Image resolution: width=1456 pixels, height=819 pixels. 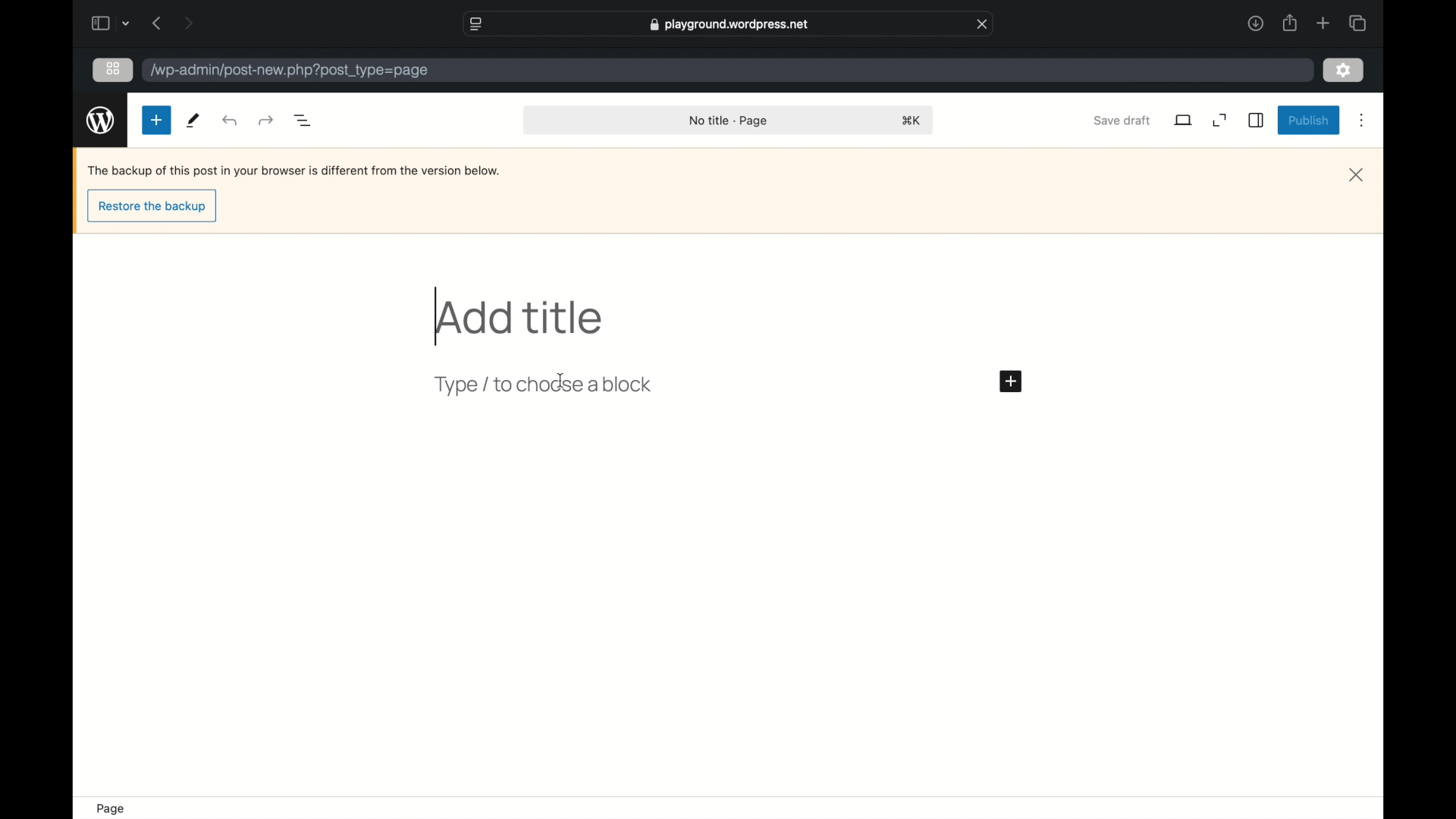 What do you see at coordinates (547, 387) in the screenshot?
I see `type to choose a block` at bounding box center [547, 387].